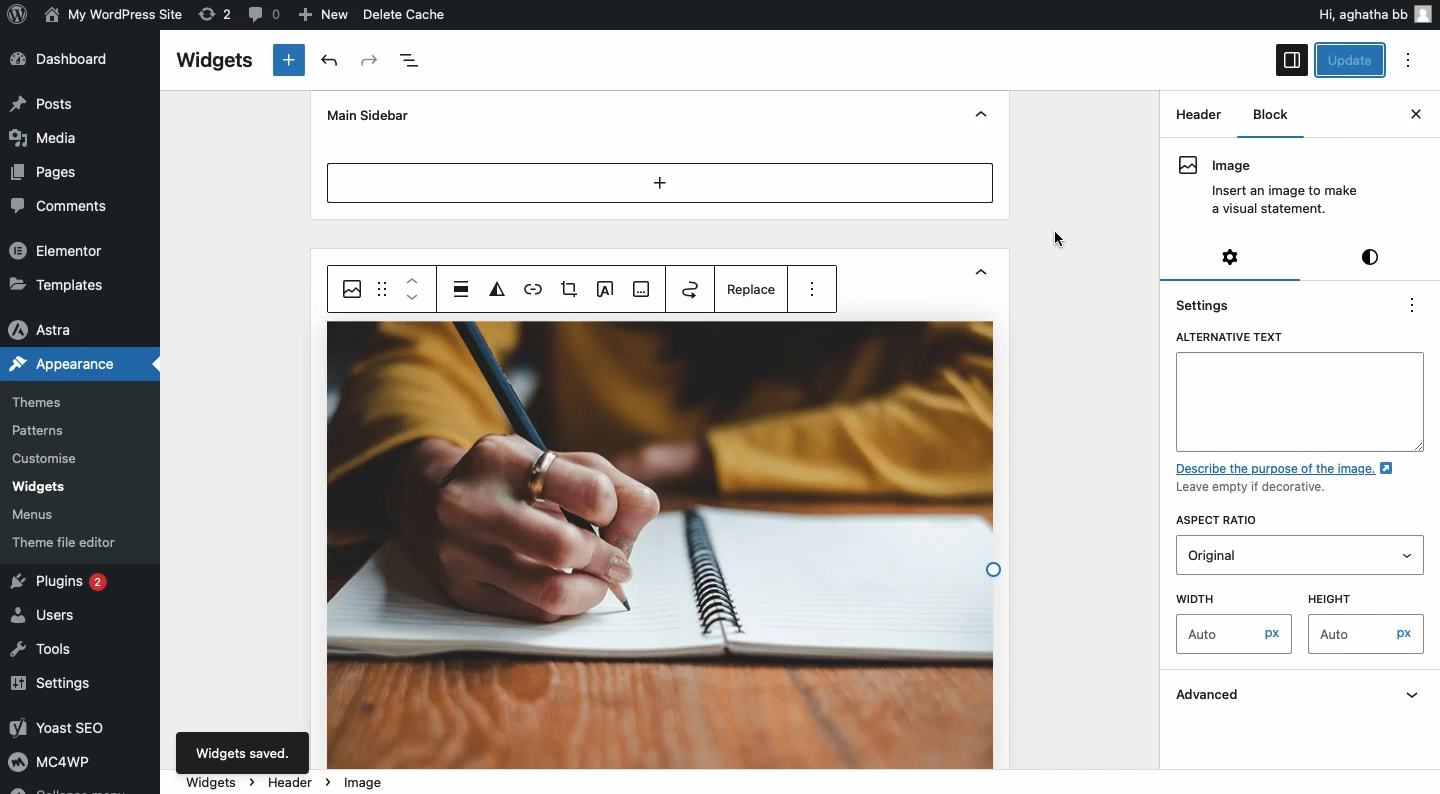 This screenshot has height=794, width=1440. Describe the element at coordinates (981, 116) in the screenshot. I see `Hide` at that location.